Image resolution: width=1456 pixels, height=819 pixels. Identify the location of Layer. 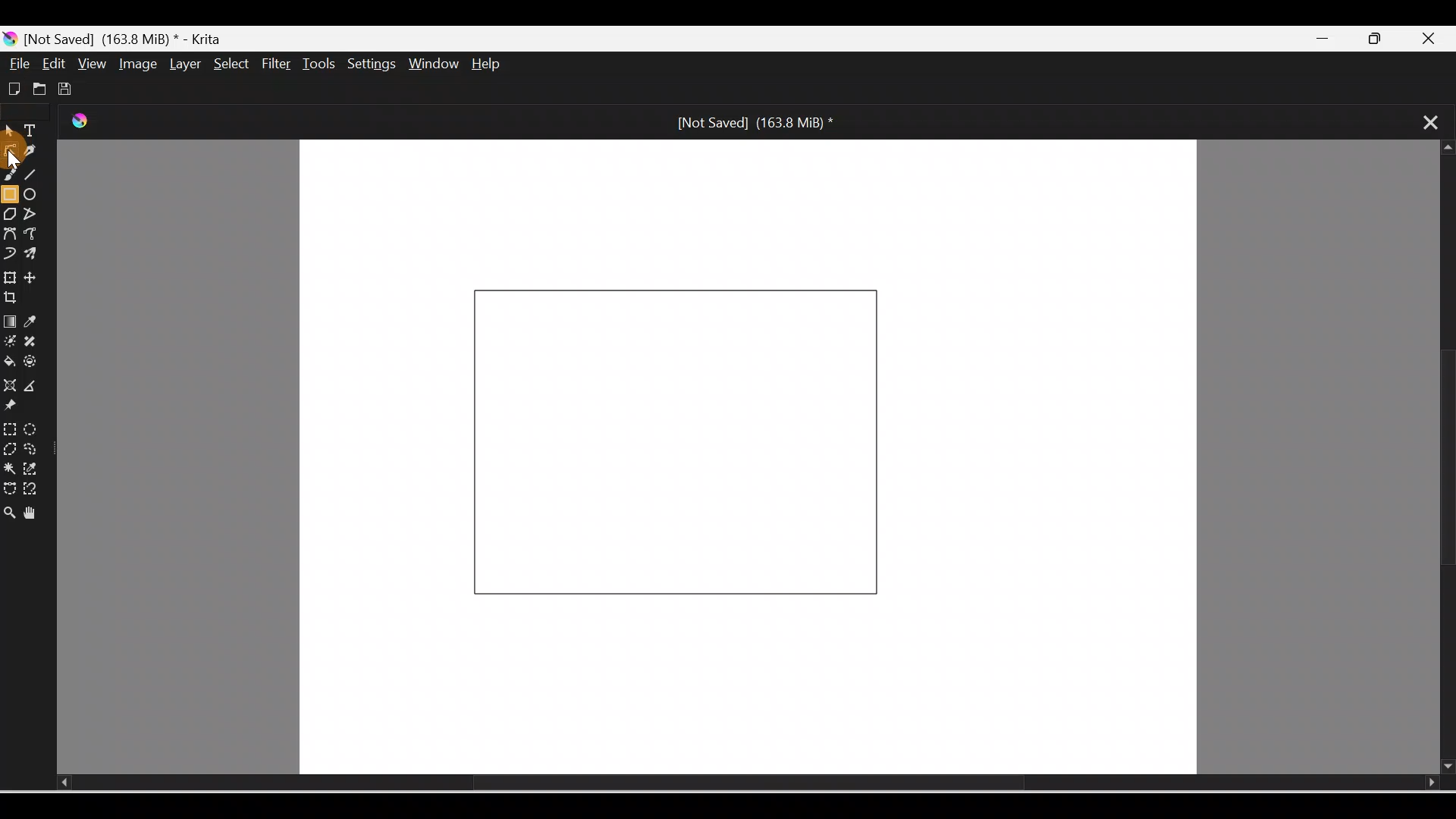
(182, 64).